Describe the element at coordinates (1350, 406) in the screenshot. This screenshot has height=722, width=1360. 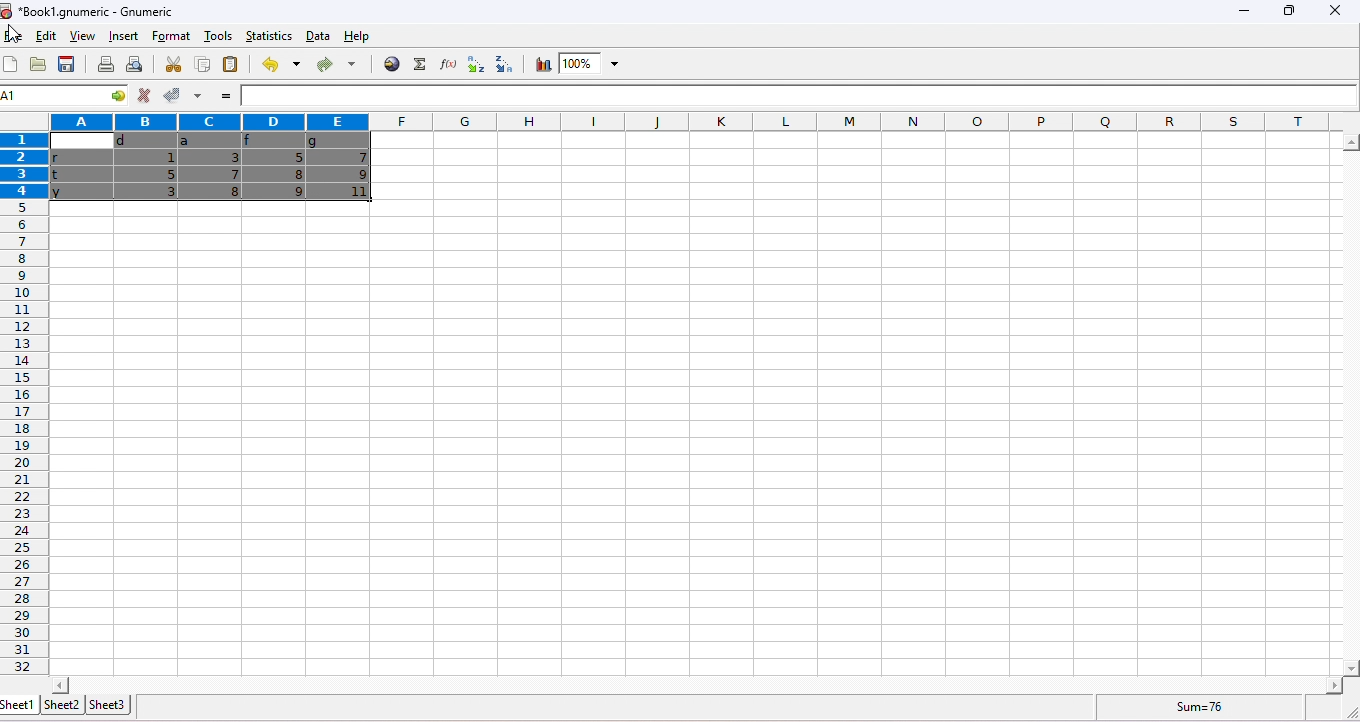
I see `horizontal scrollbar` at that location.